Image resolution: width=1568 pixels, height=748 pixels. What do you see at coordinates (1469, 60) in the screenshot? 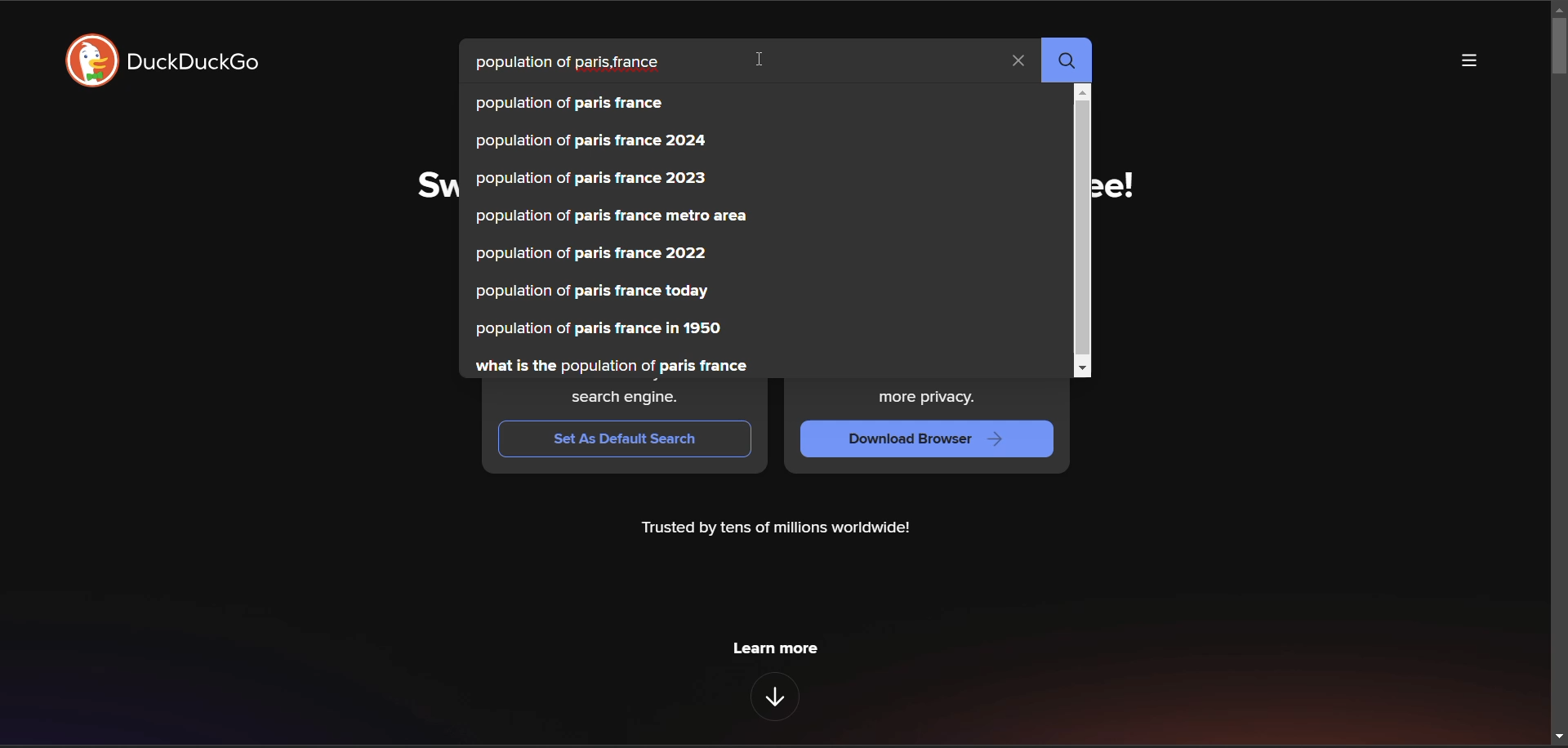
I see `more options` at bounding box center [1469, 60].